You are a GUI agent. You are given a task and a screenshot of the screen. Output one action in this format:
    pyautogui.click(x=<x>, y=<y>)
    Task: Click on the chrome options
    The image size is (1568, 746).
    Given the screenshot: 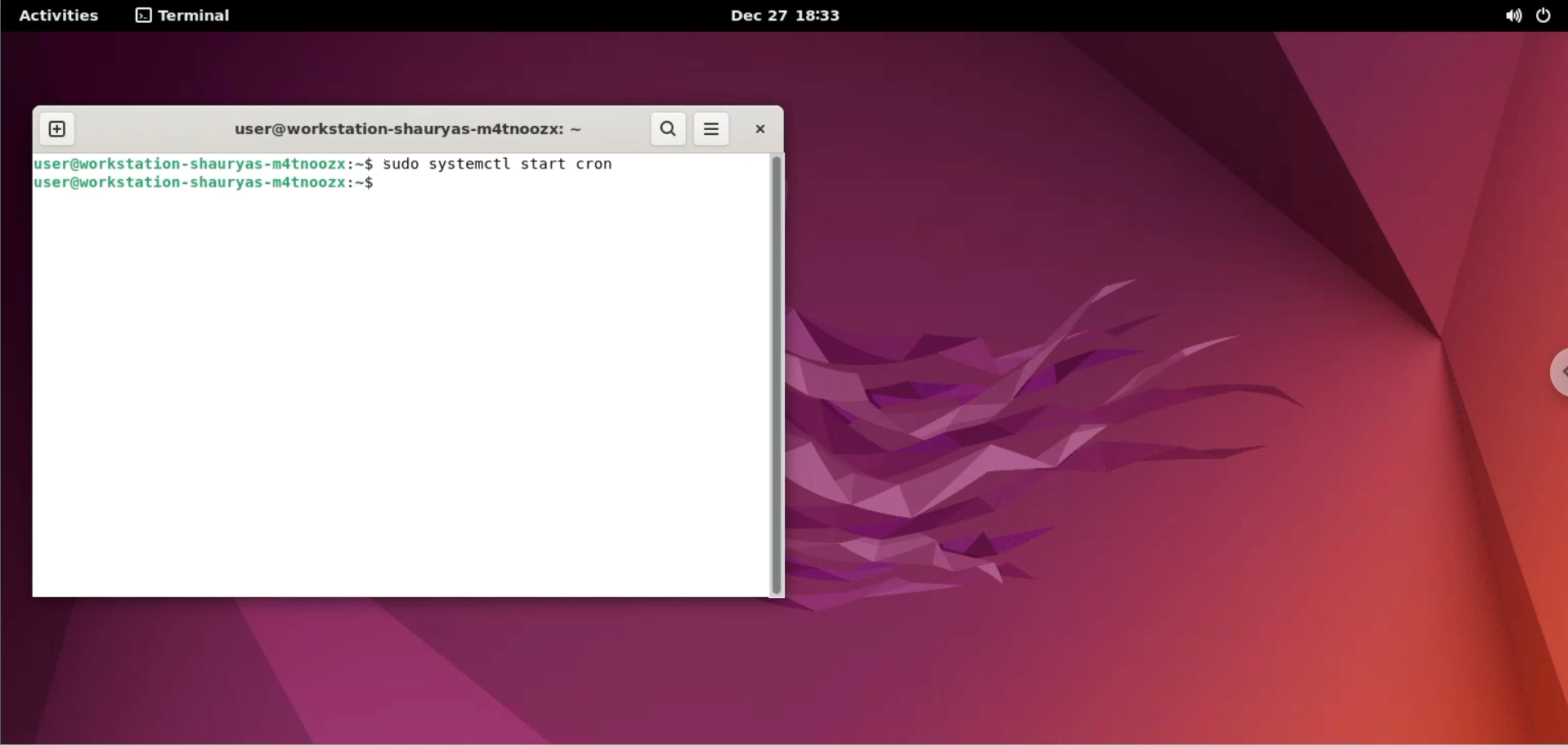 What is the action you would take?
    pyautogui.click(x=1552, y=376)
    